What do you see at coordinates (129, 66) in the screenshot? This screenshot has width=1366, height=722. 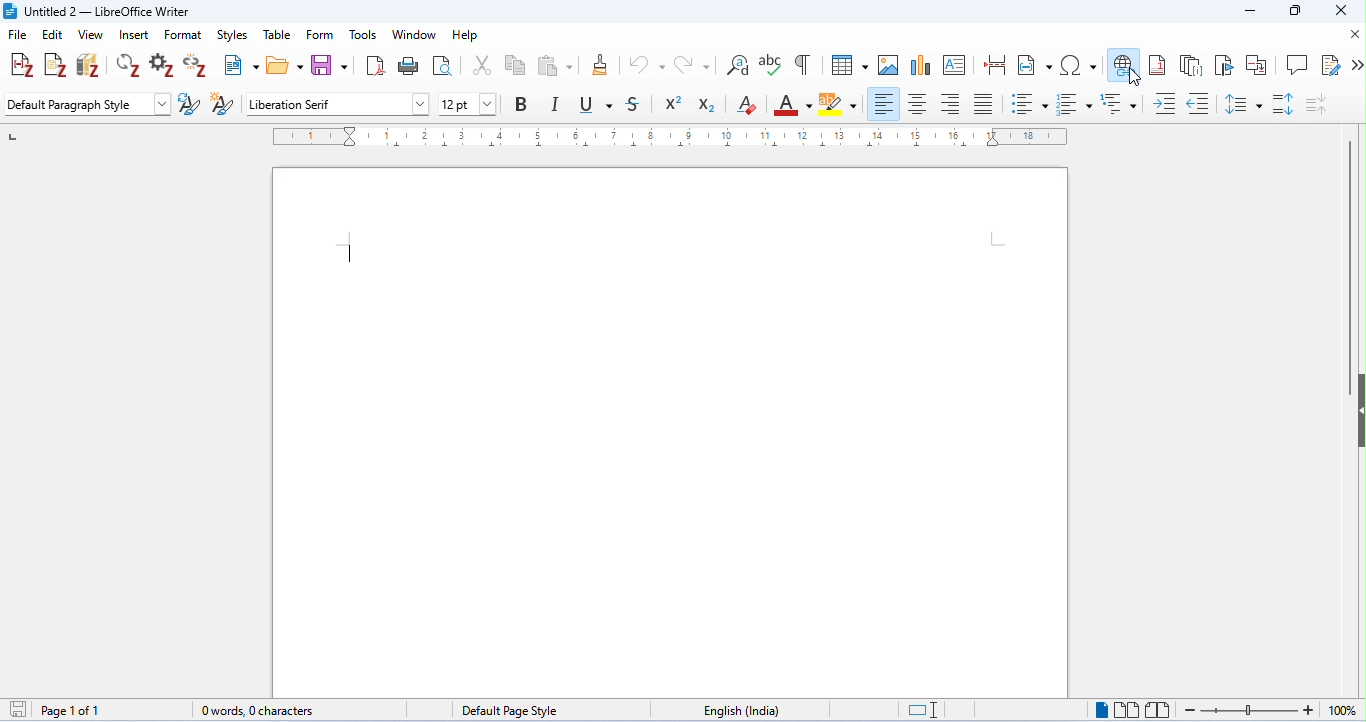 I see `refresh` at bounding box center [129, 66].